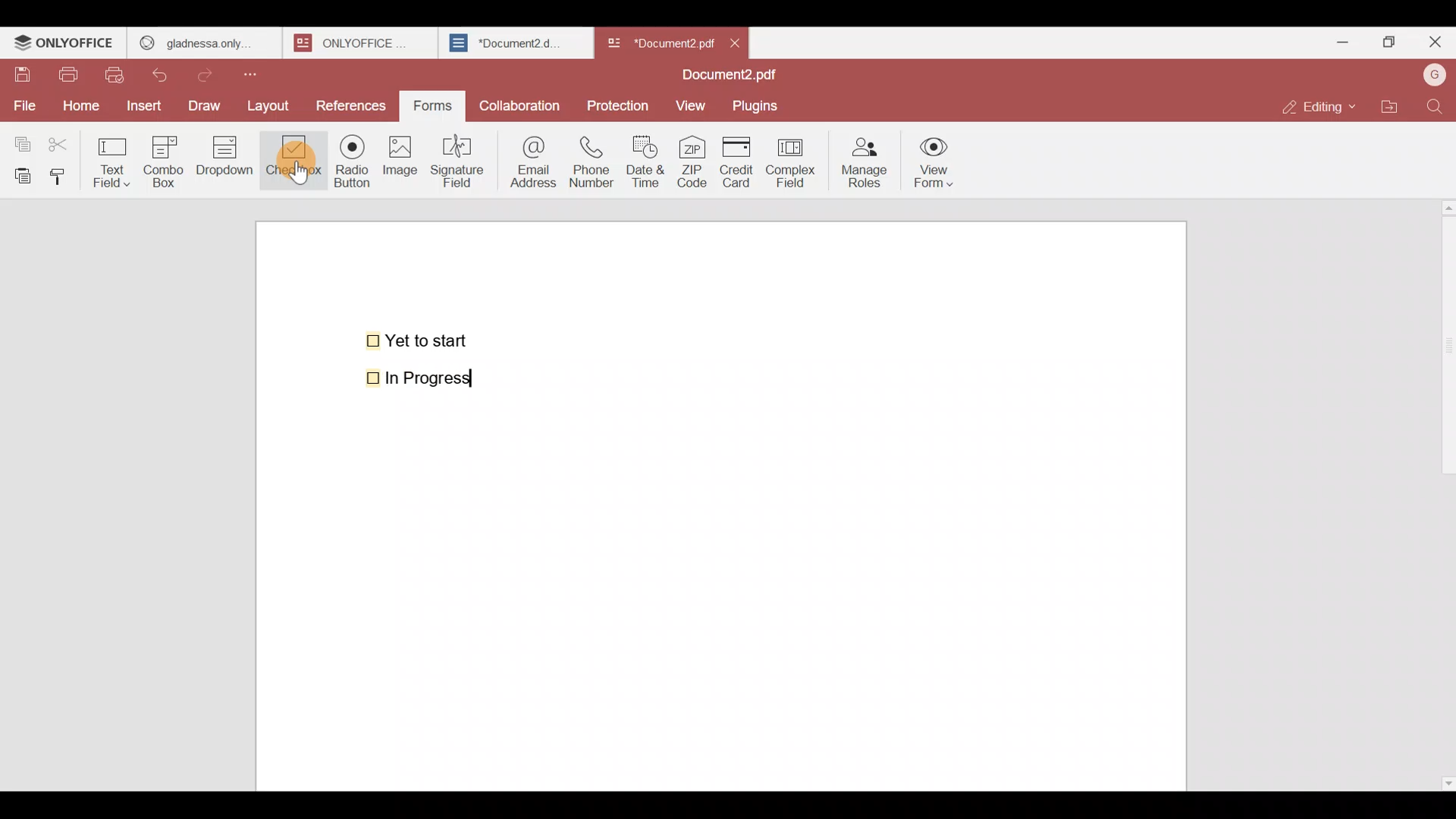 Image resolution: width=1456 pixels, height=819 pixels. I want to click on Account name, so click(1434, 74).